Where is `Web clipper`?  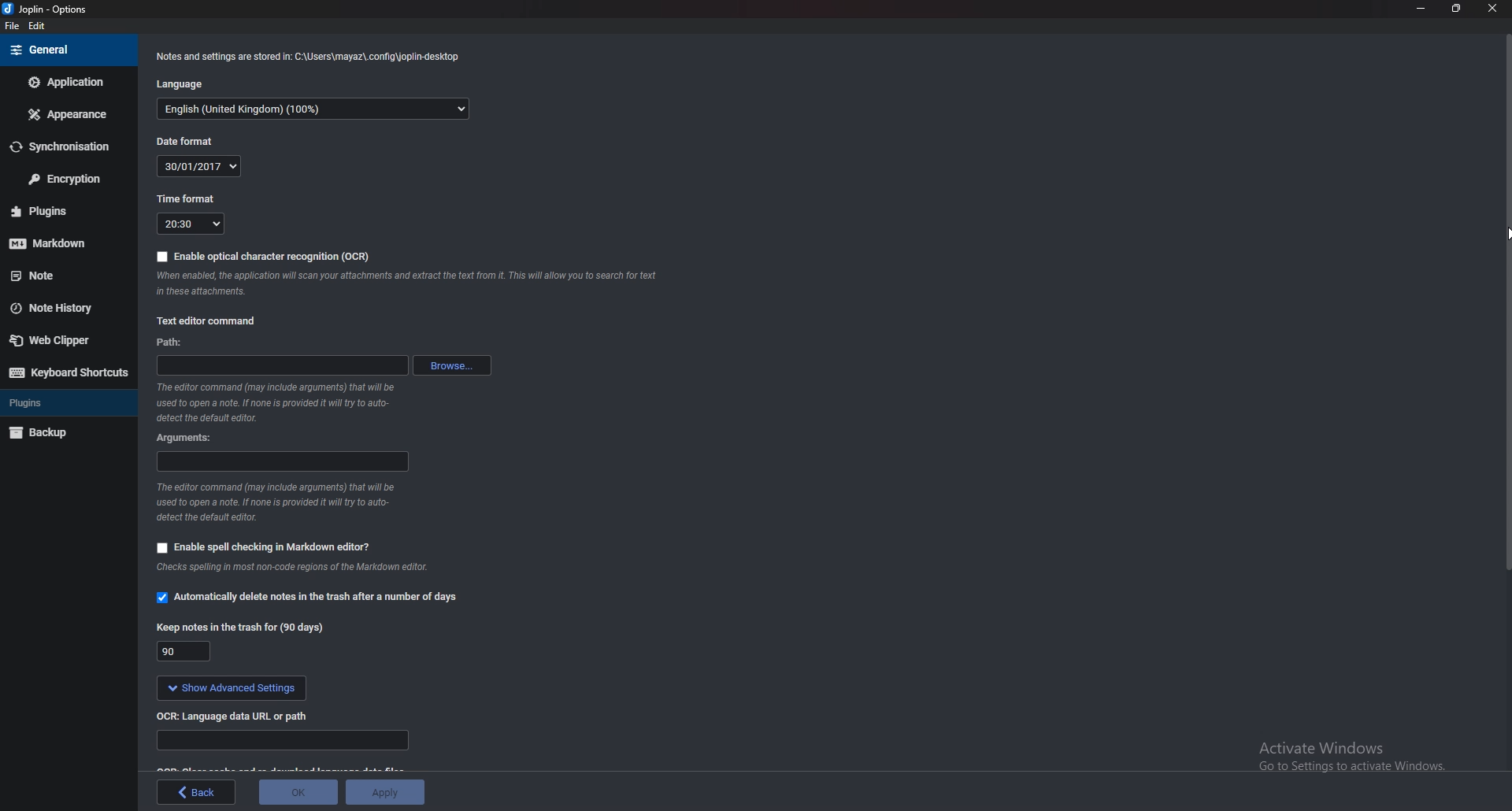
Web clipper is located at coordinates (61, 339).